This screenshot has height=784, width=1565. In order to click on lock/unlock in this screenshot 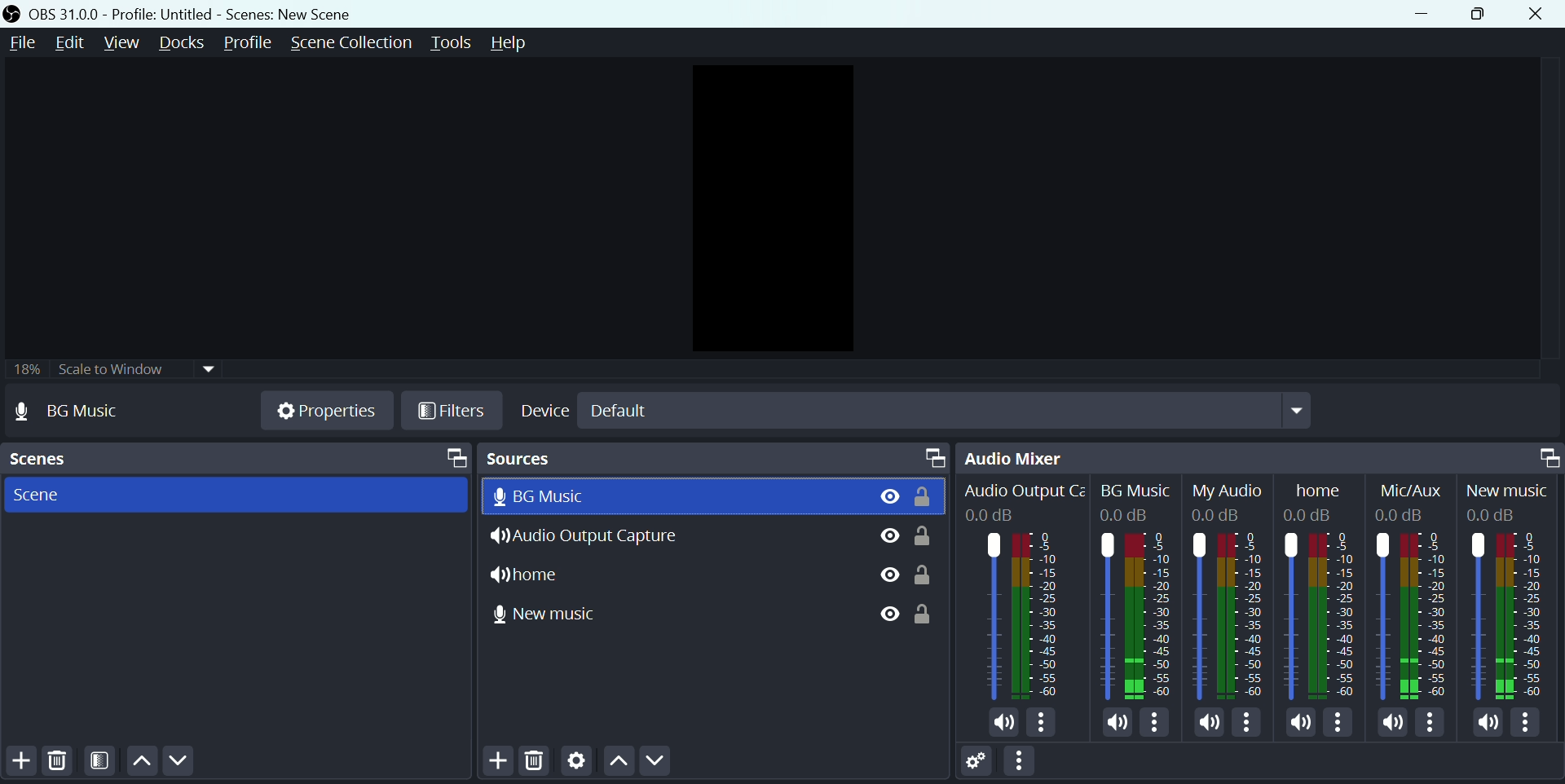, I will do `click(926, 613)`.